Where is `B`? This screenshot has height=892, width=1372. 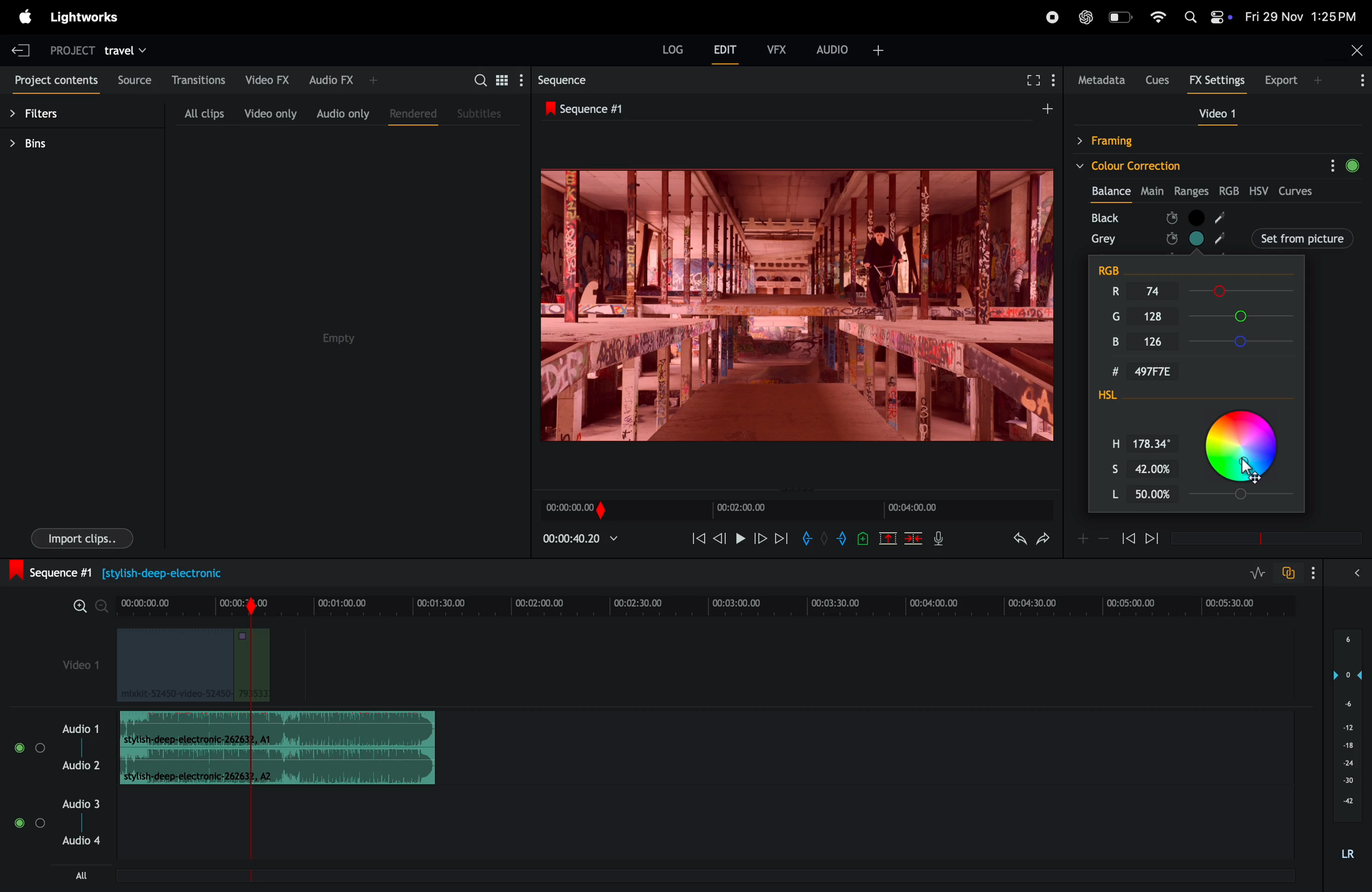
B is located at coordinates (1117, 343).